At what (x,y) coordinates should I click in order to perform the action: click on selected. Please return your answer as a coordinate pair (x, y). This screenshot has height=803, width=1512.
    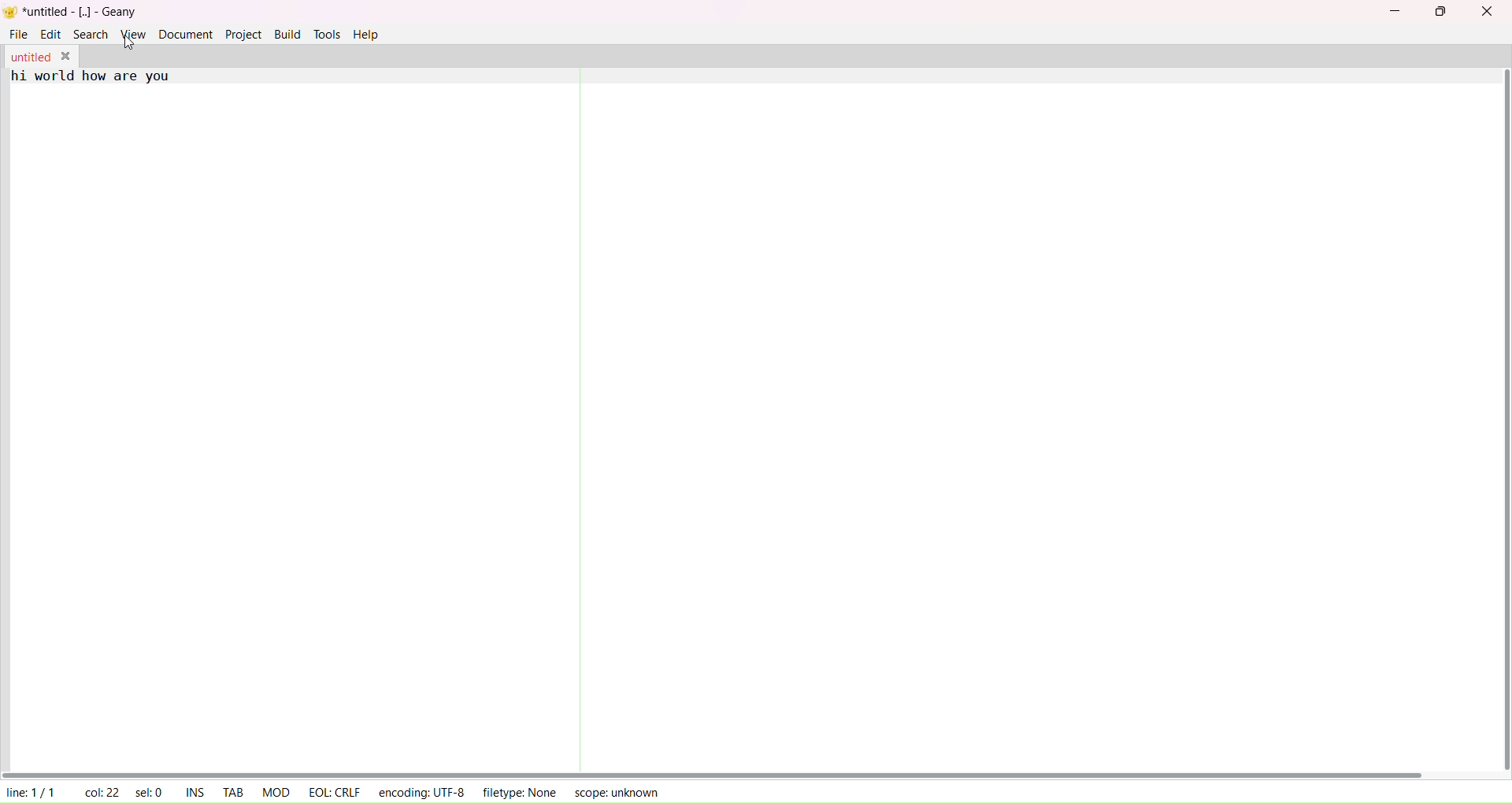
    Looking at the image, I should click on (150, 790).